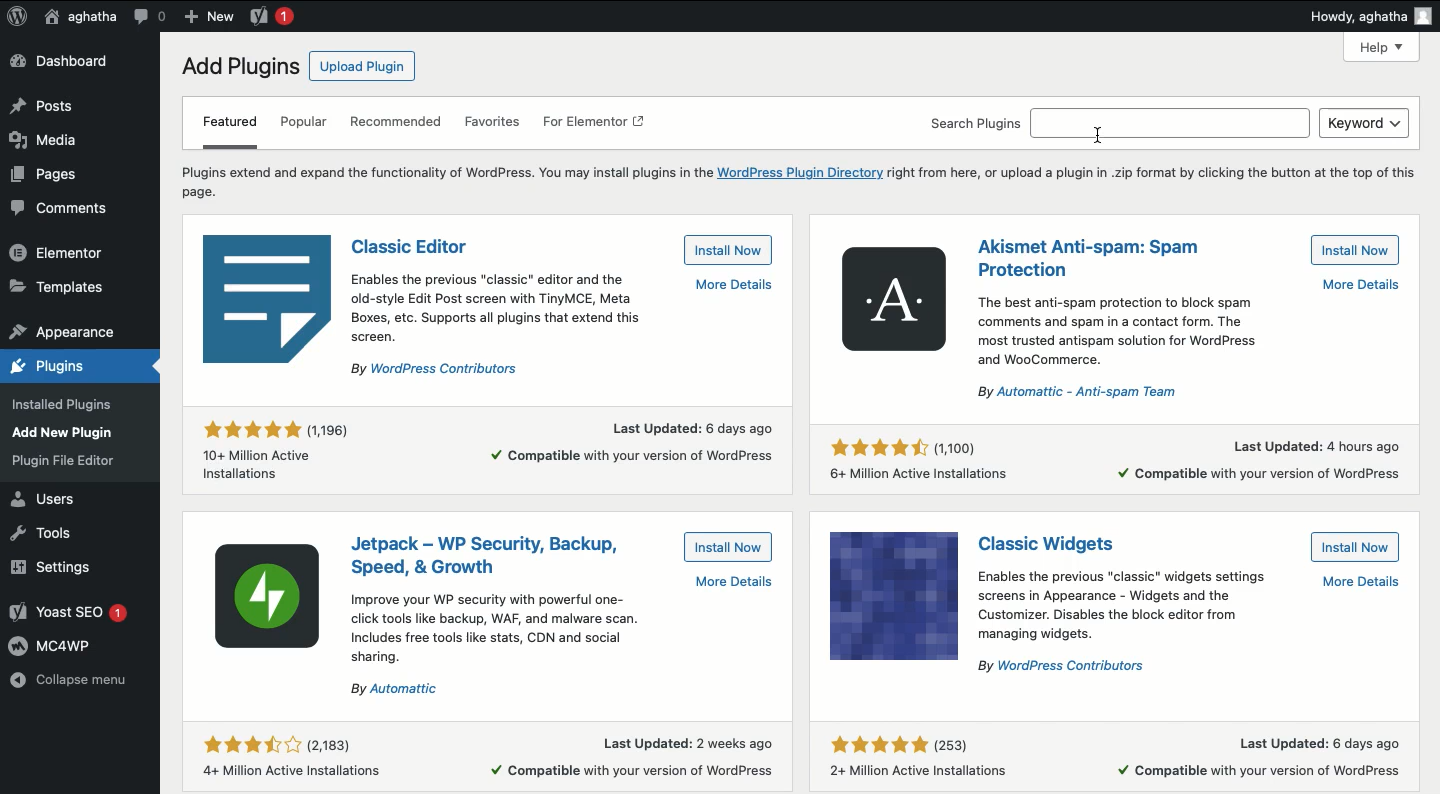 The height and width of the screenshot is (794, 1440). I want to click on Yoast SEO, so click(72, 610).